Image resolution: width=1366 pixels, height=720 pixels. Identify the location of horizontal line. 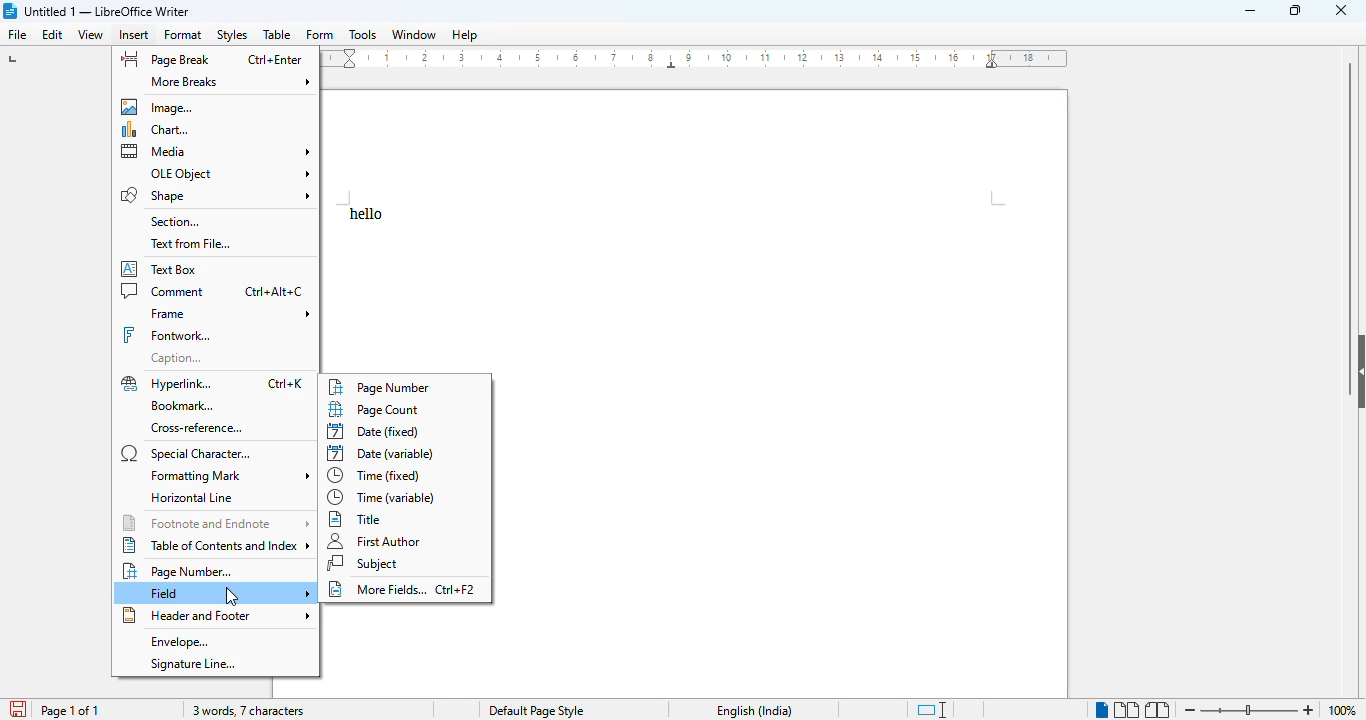
(192, 498).